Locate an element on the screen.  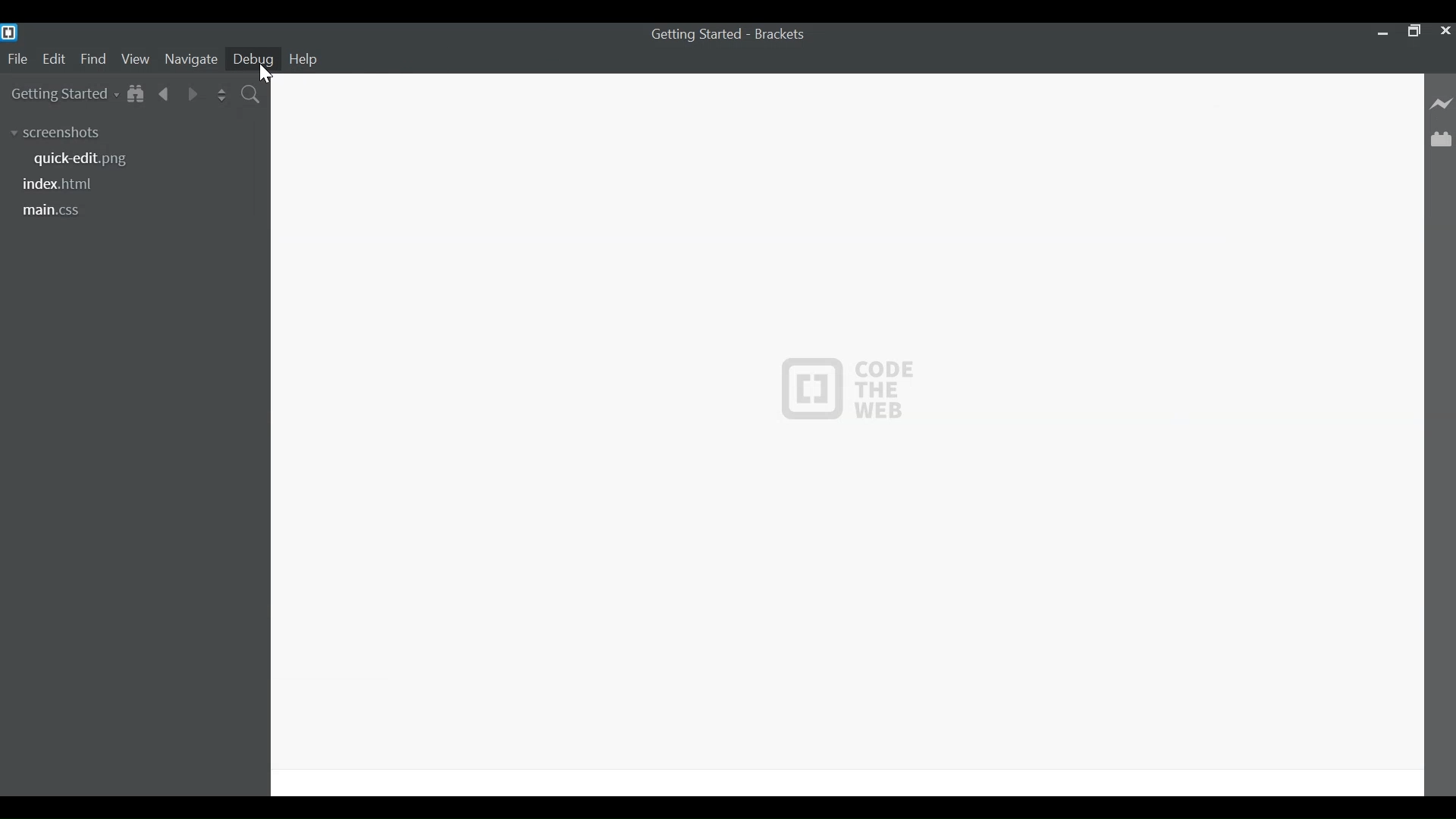
Navigate Forward is located at coordinates (194, 93).